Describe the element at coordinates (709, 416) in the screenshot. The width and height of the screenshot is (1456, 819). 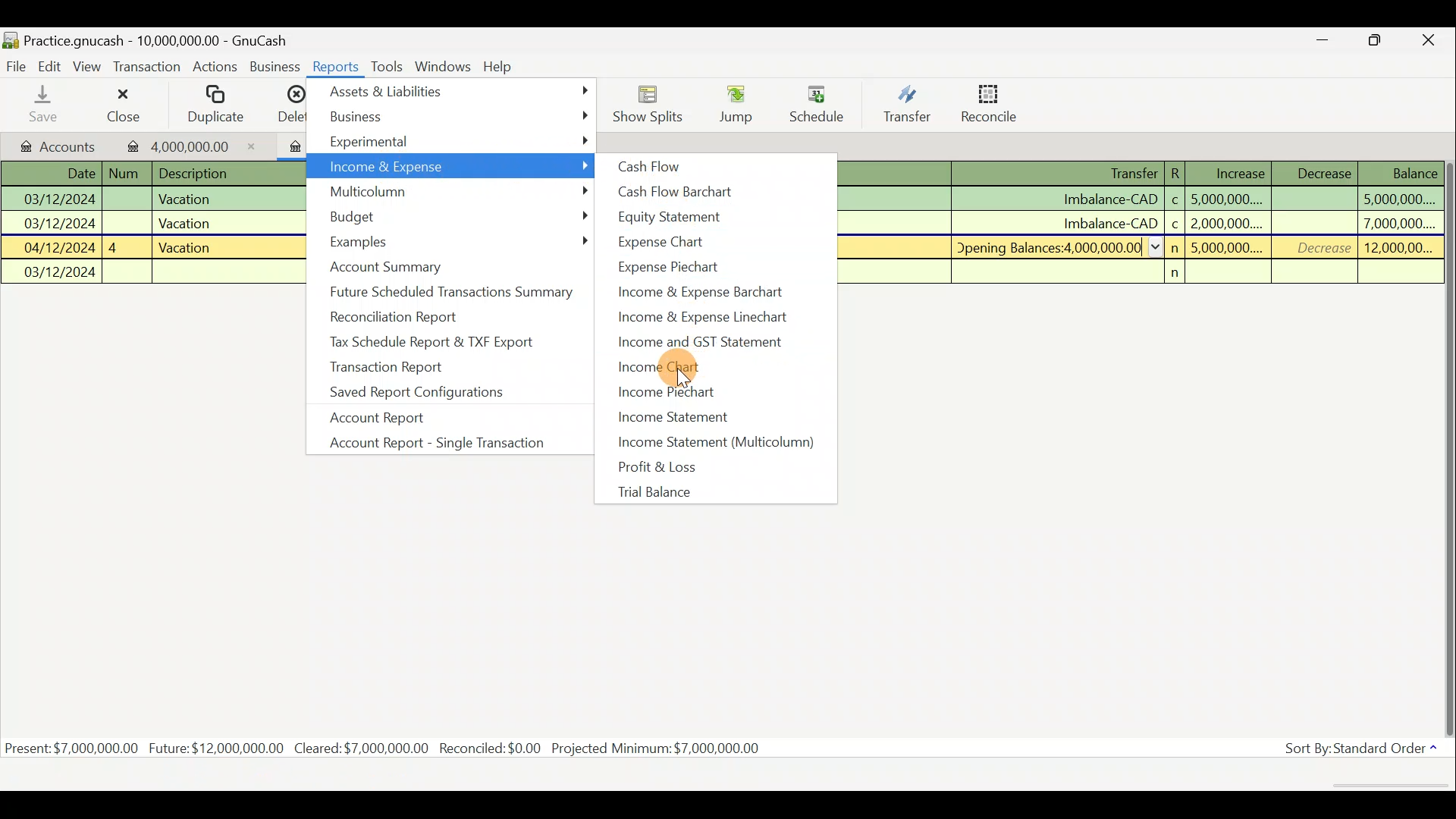
I see `Income statement` at that location.